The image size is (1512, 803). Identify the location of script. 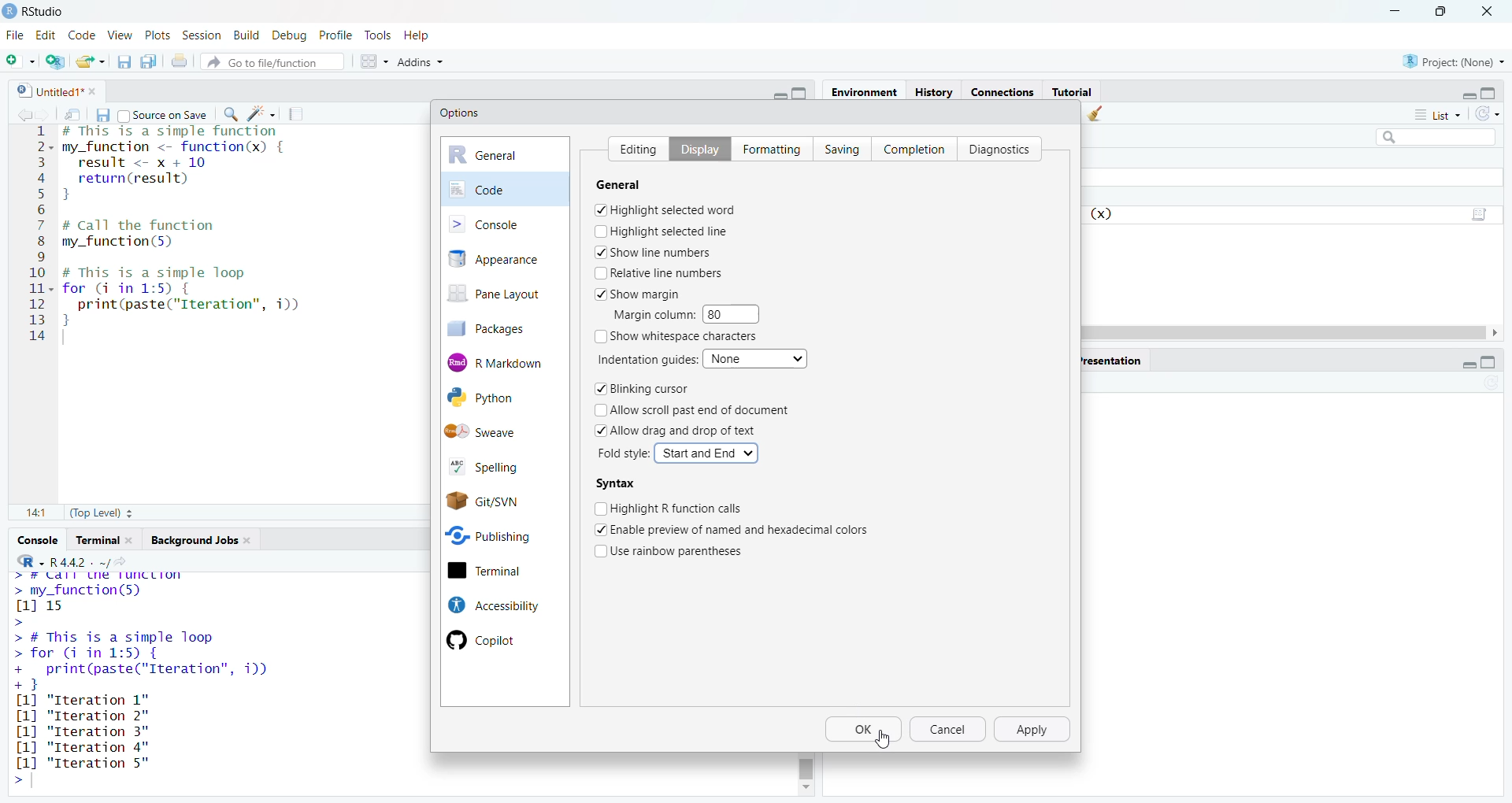
(1482, 212).